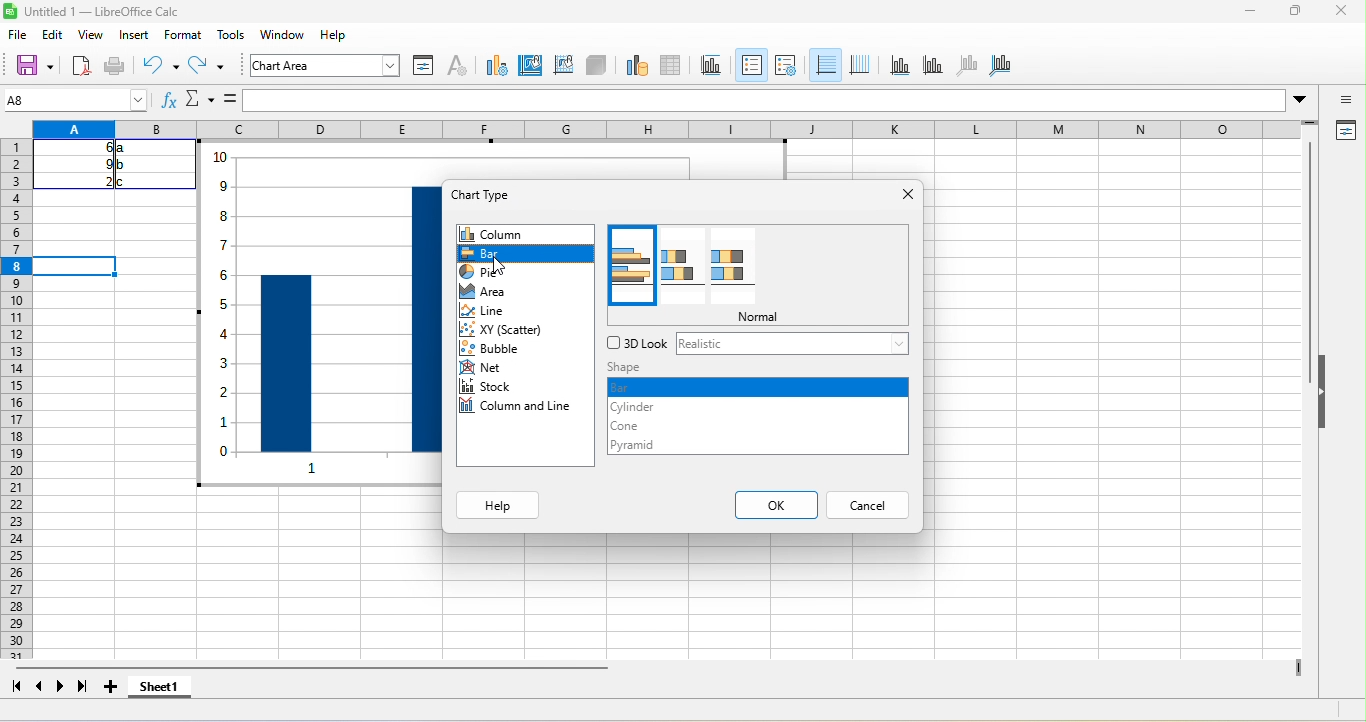 This screenshot has width=1366, height=722. I want to click on legend, so click(860, 64).